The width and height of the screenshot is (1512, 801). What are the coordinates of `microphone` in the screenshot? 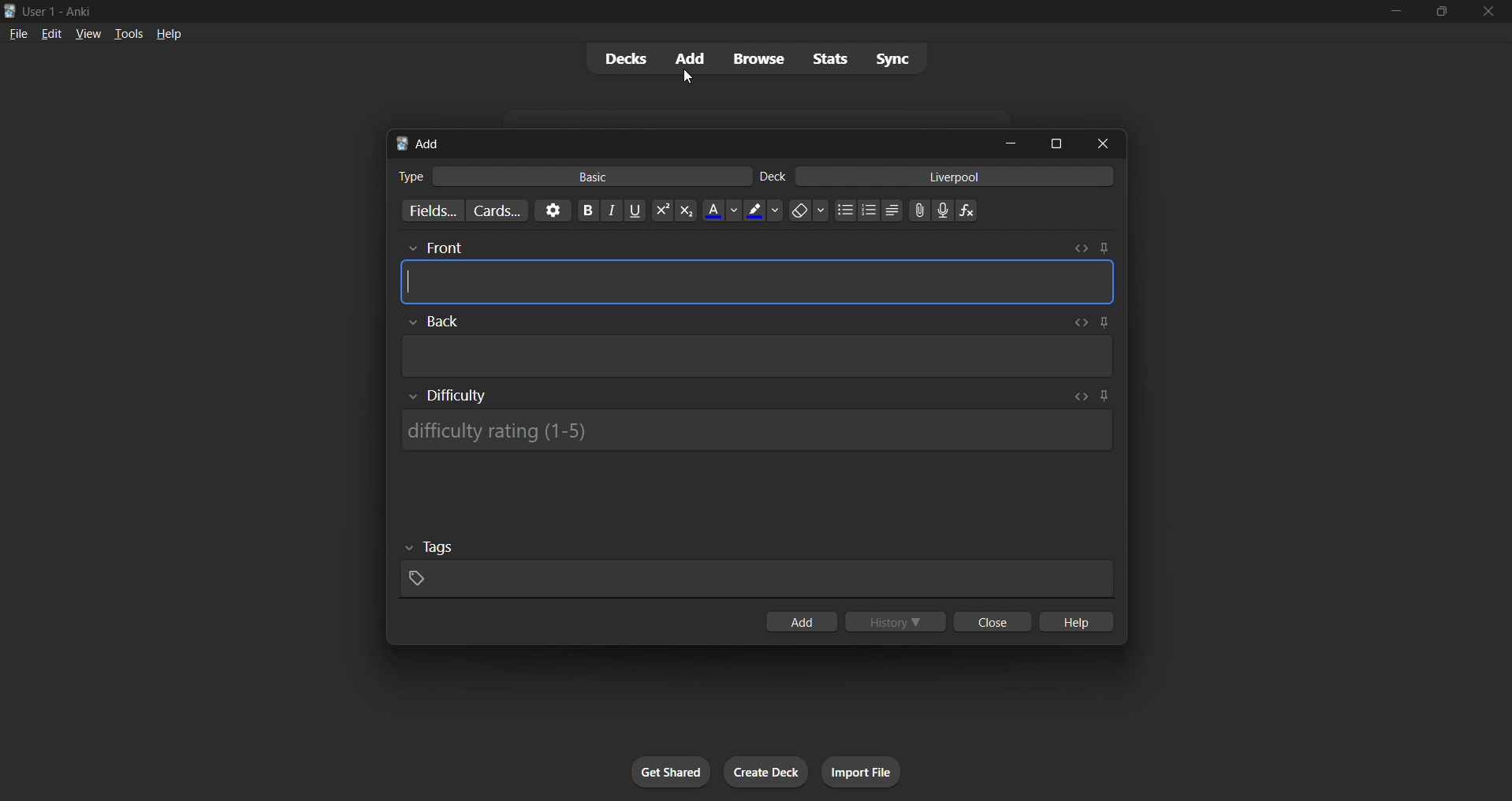 It's located at (944, 211).